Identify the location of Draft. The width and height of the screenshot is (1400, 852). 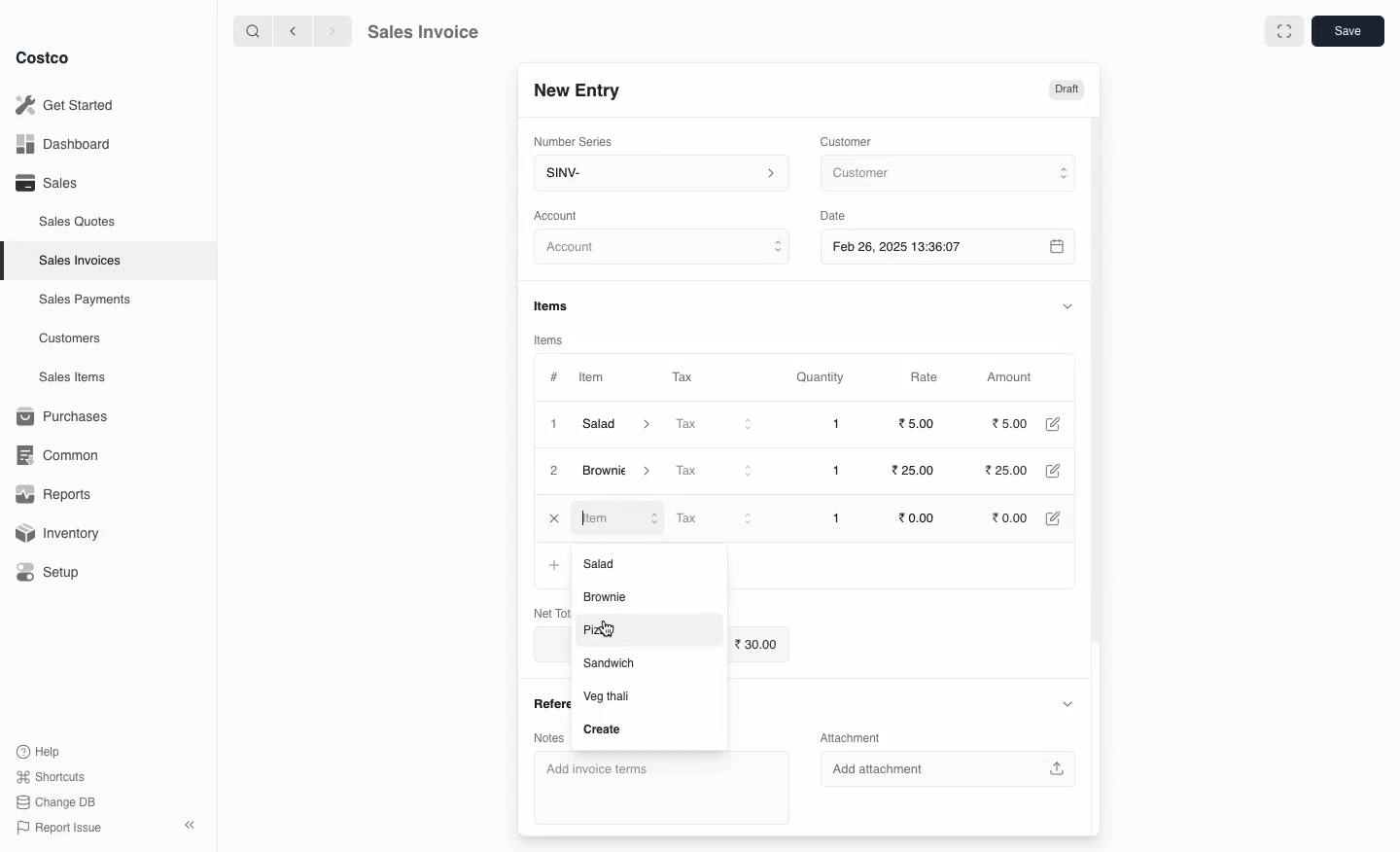
(1067, 90).